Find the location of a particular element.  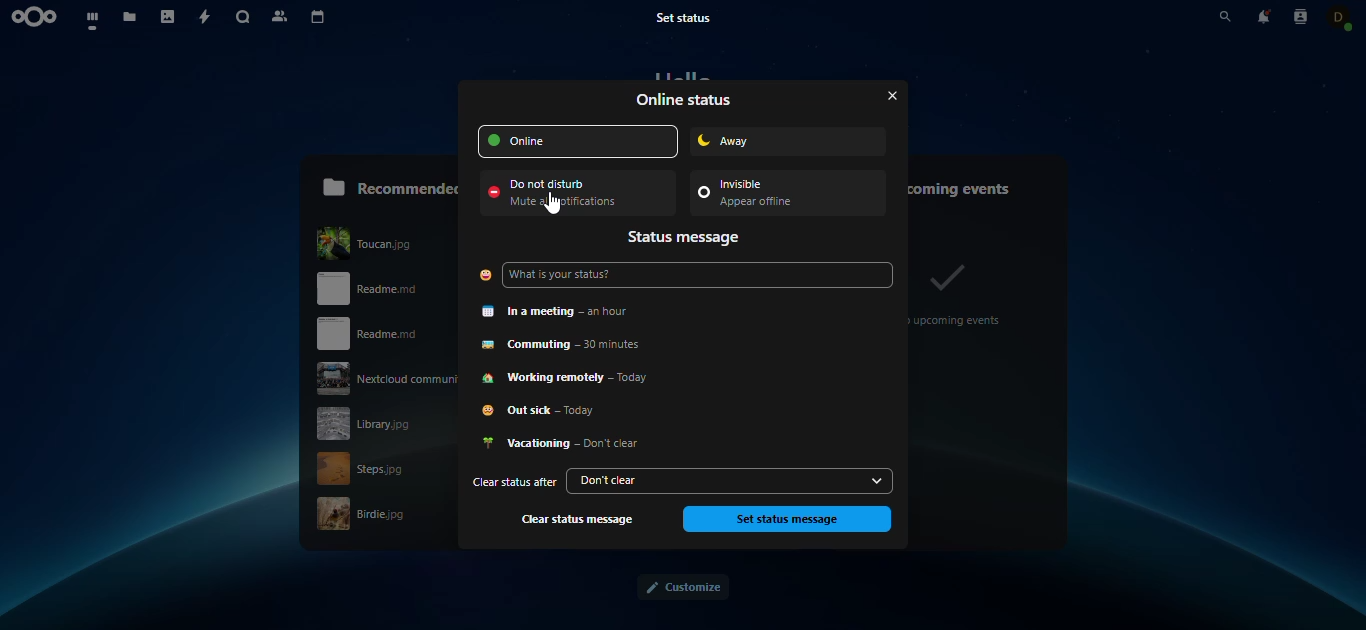

read me.rnd is located at coordinates (390, 290).